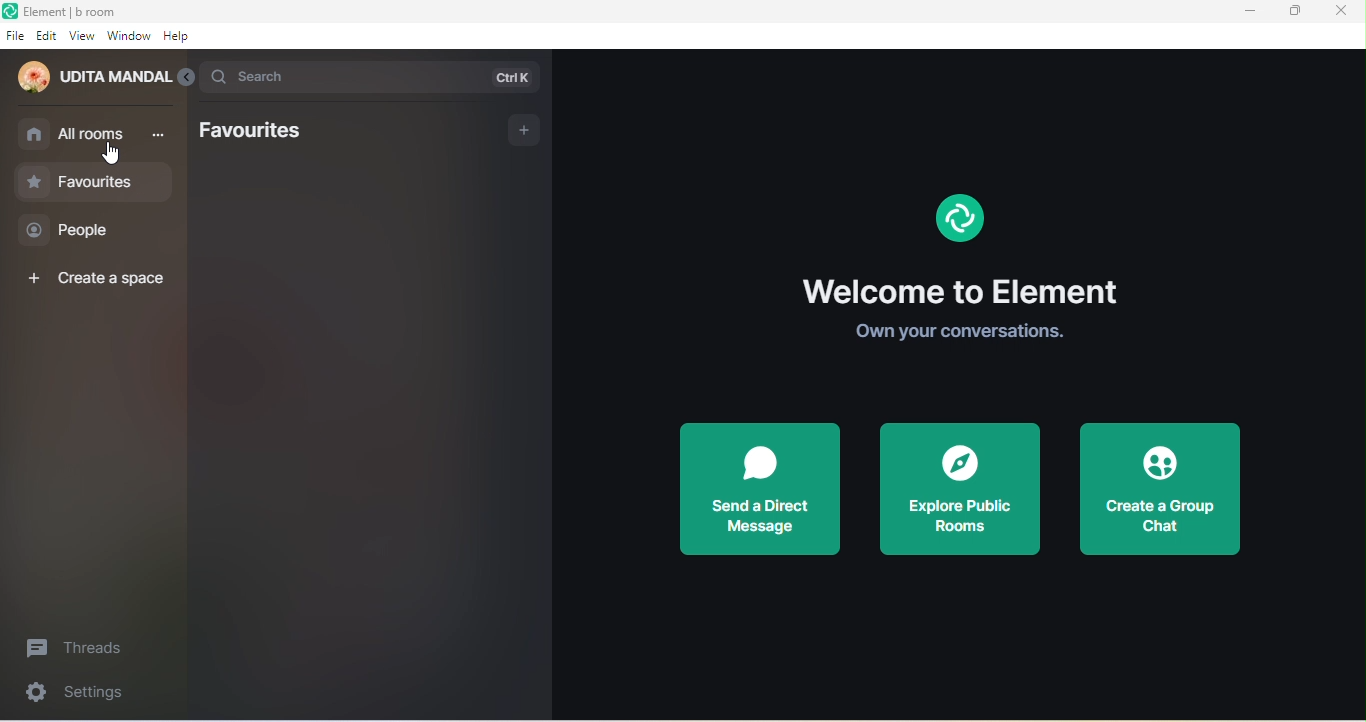  I want to click on people, so click(80, 230).